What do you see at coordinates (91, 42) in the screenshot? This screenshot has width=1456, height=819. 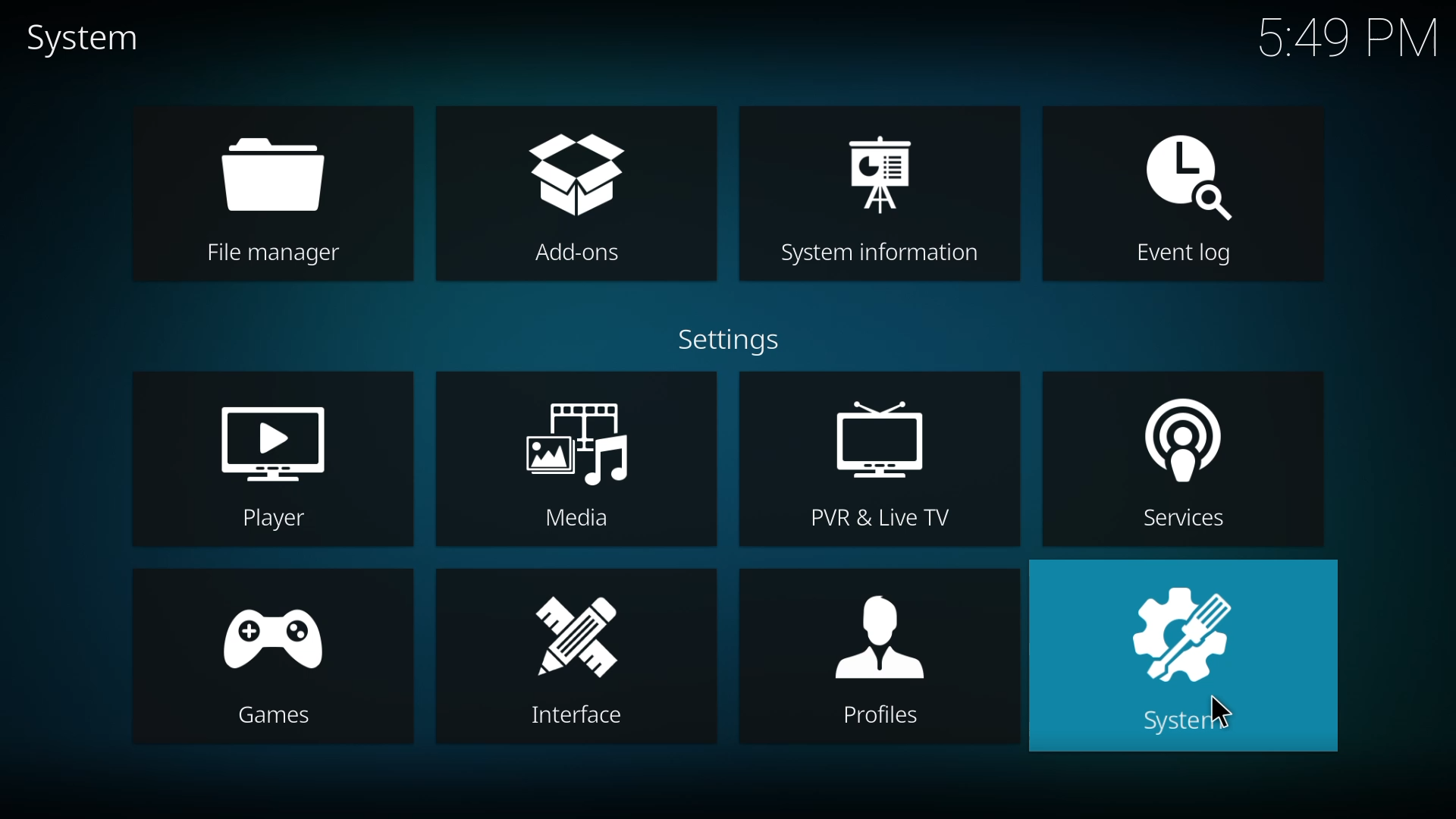 I see `system` at bounding box center [91, 42].